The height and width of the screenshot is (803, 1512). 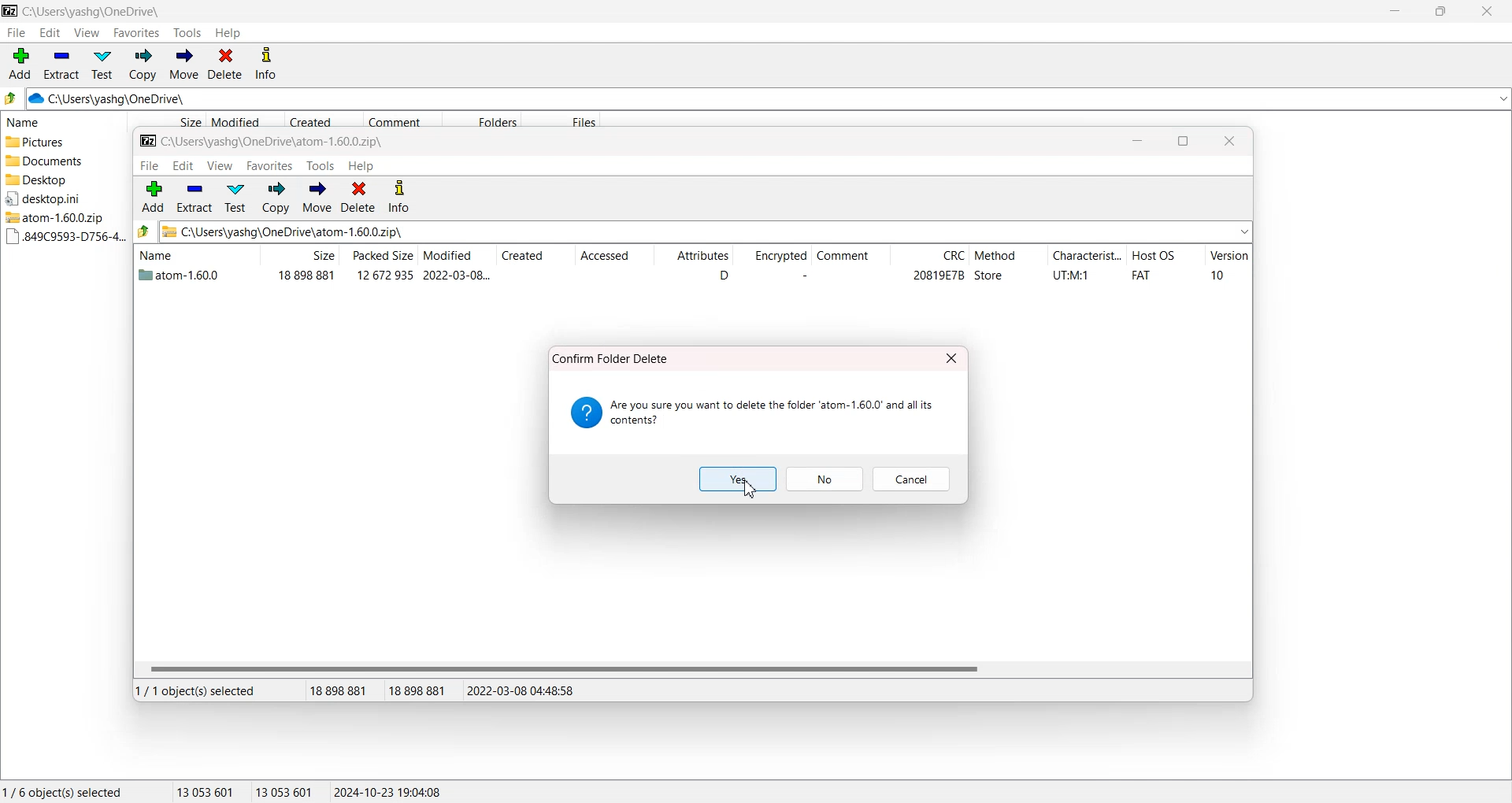 I want to click on Close, so click(x=1485, y=11).